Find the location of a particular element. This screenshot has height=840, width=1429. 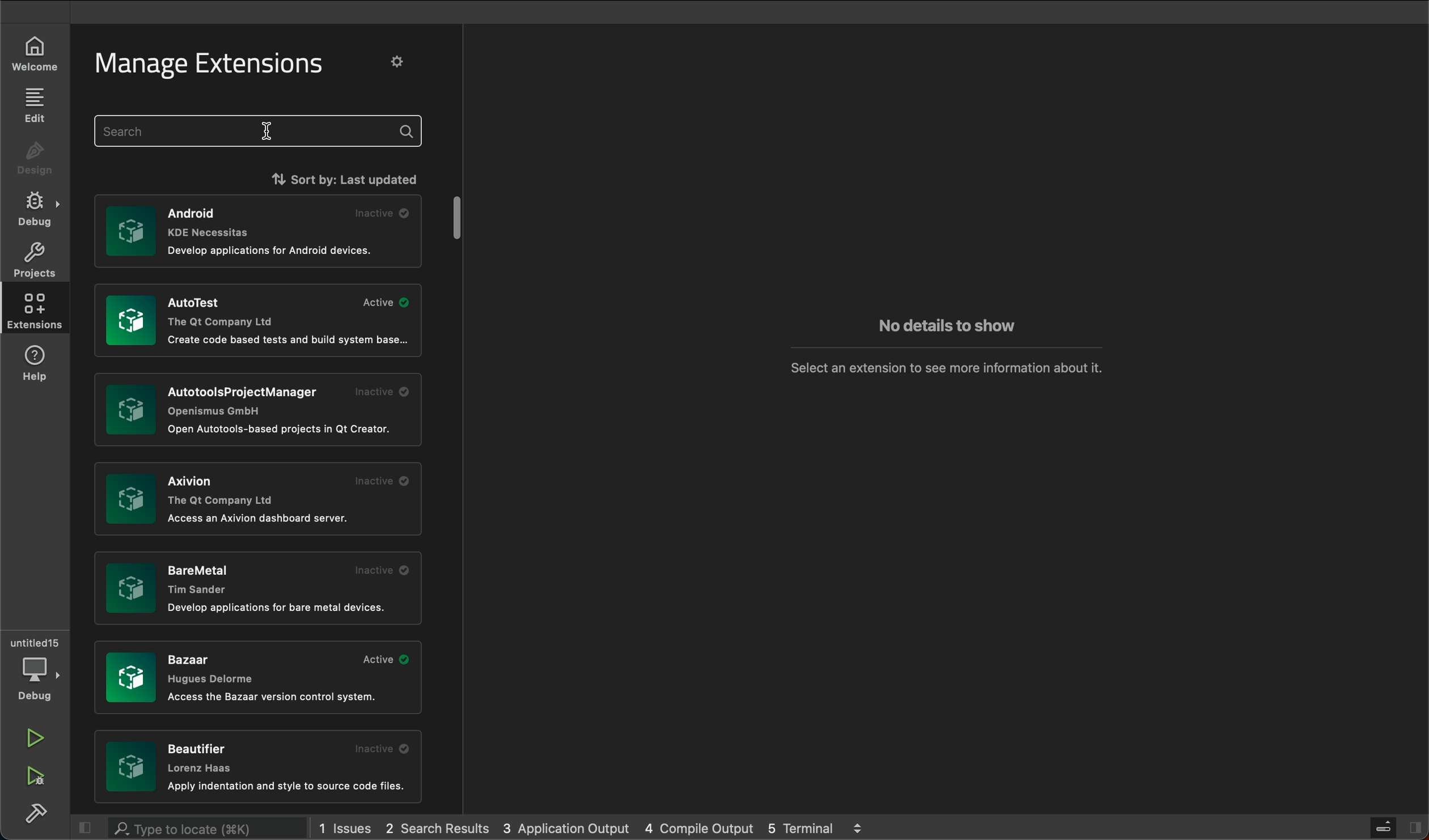

extension text is located at coordinates (276, 697).